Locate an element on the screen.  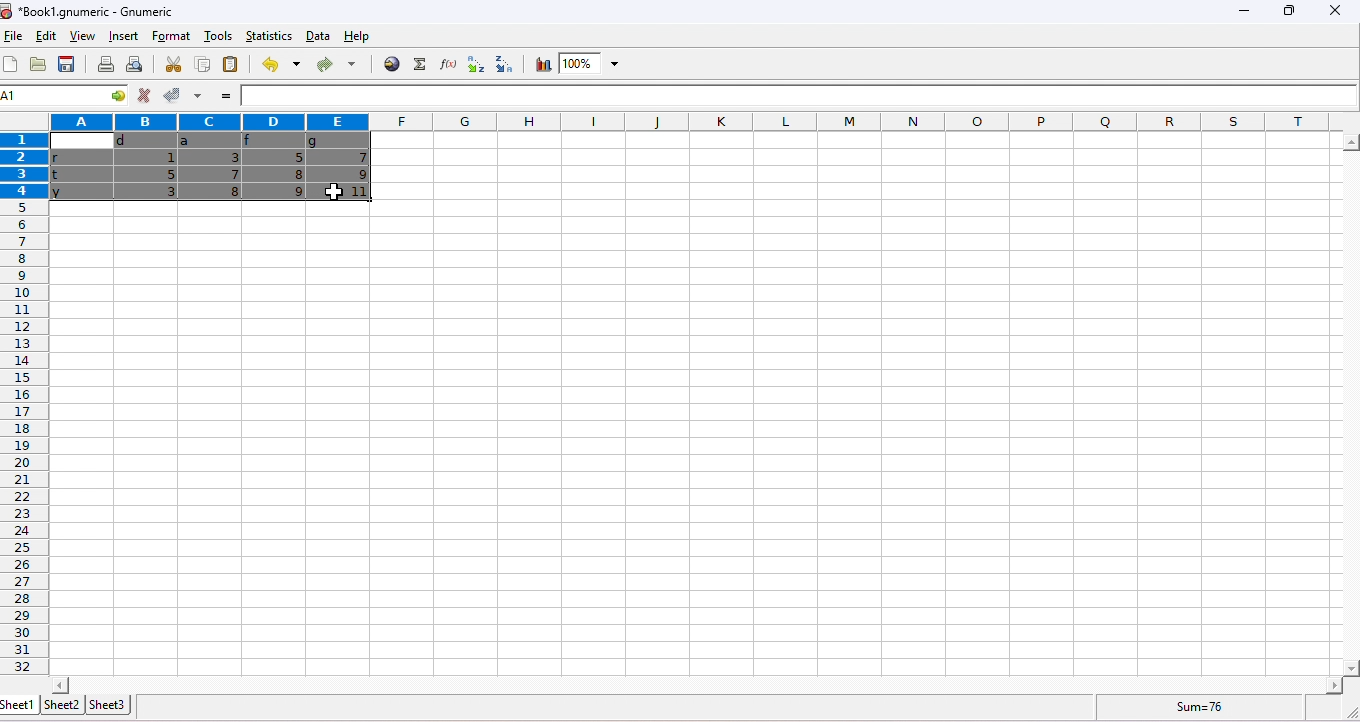
format is located at coordinates (173, 35).